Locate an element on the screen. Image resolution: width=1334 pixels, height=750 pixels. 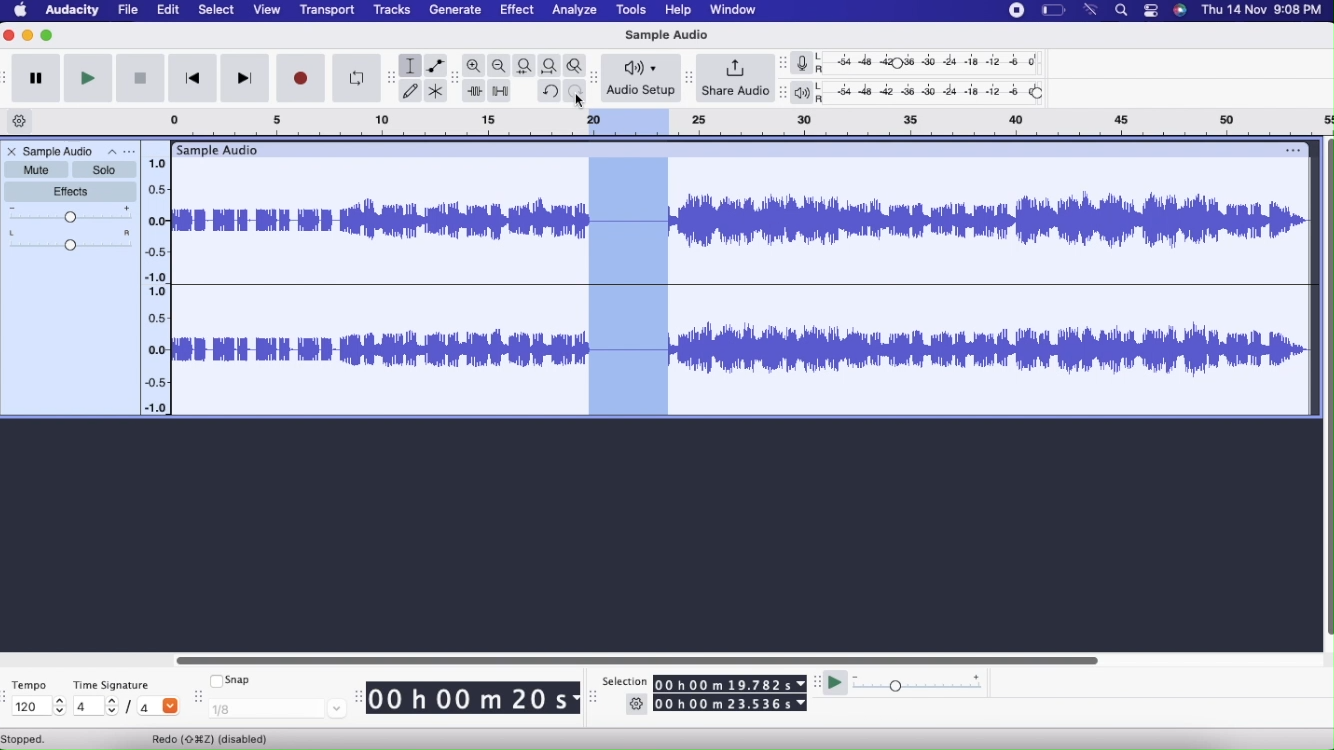
00 h 00 m 23.536s is located at coordinates (730, 703).